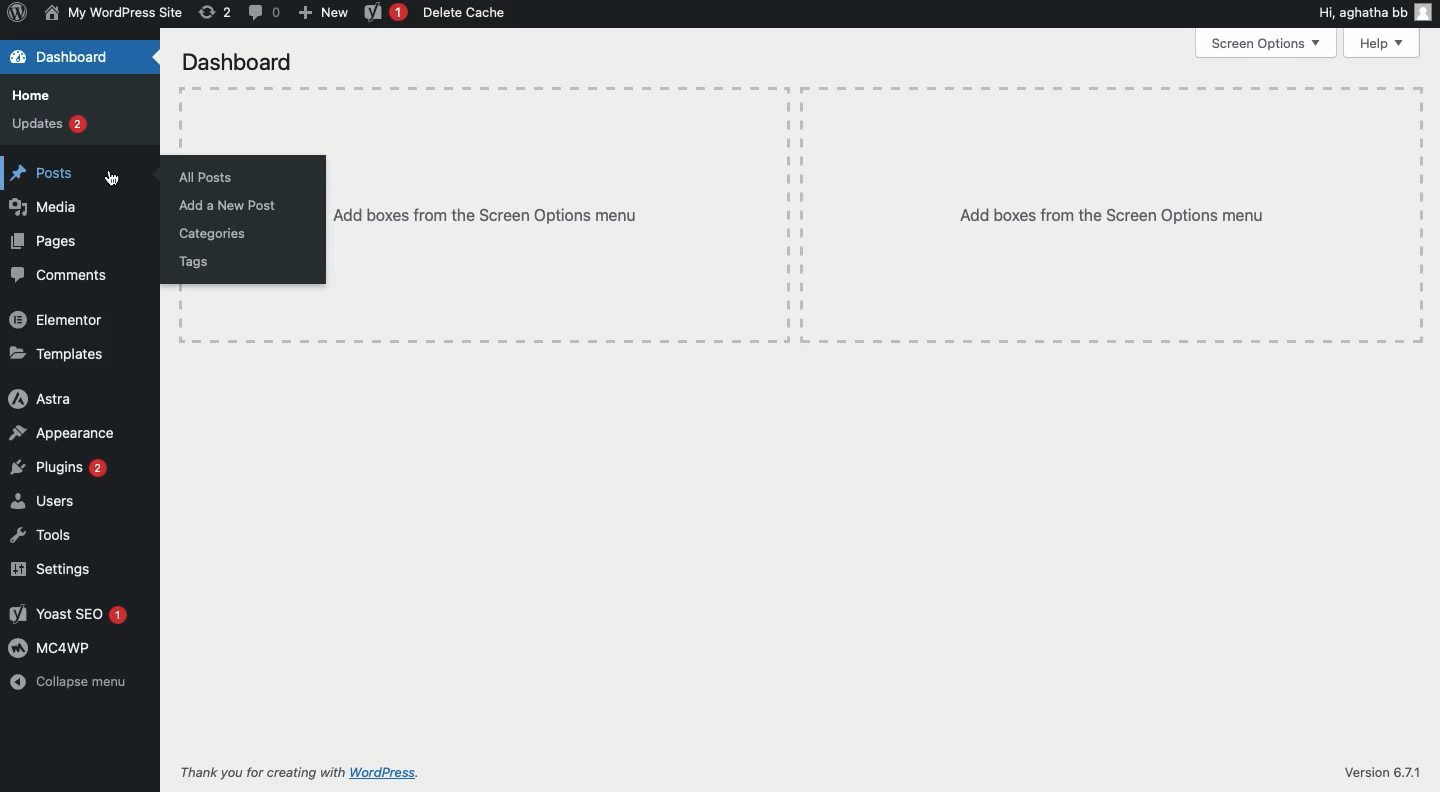 The image size is (1440, 792). Describe the element at coordinates (386, 13) in the screenshot. I see `Yoast` at that location.